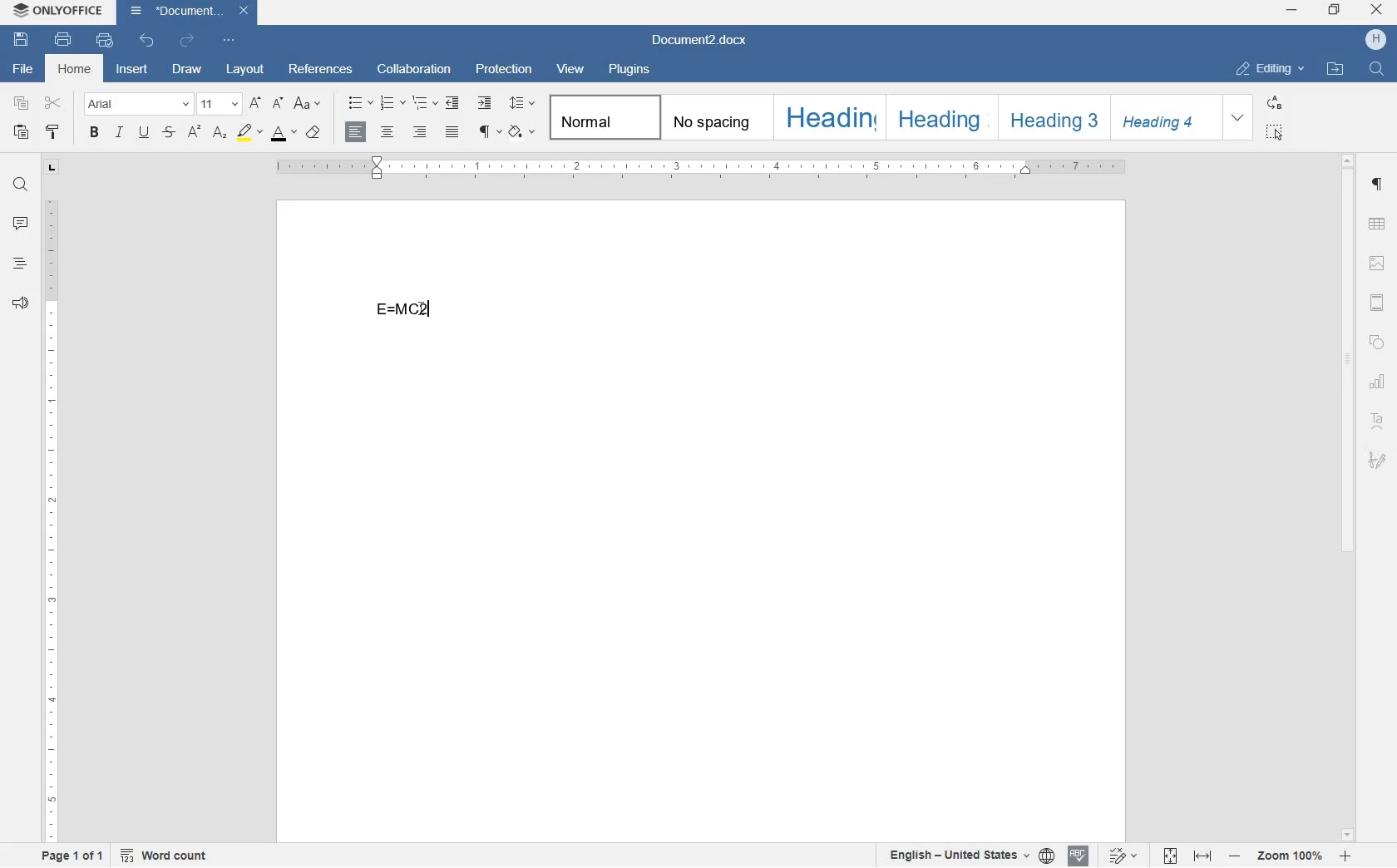 Image resolution: width=1397 pixels, height=868 pixels. What do you see at coordinates (104, 40) in the screenshot?
I see `quick print` at bounding box center [104, 40].